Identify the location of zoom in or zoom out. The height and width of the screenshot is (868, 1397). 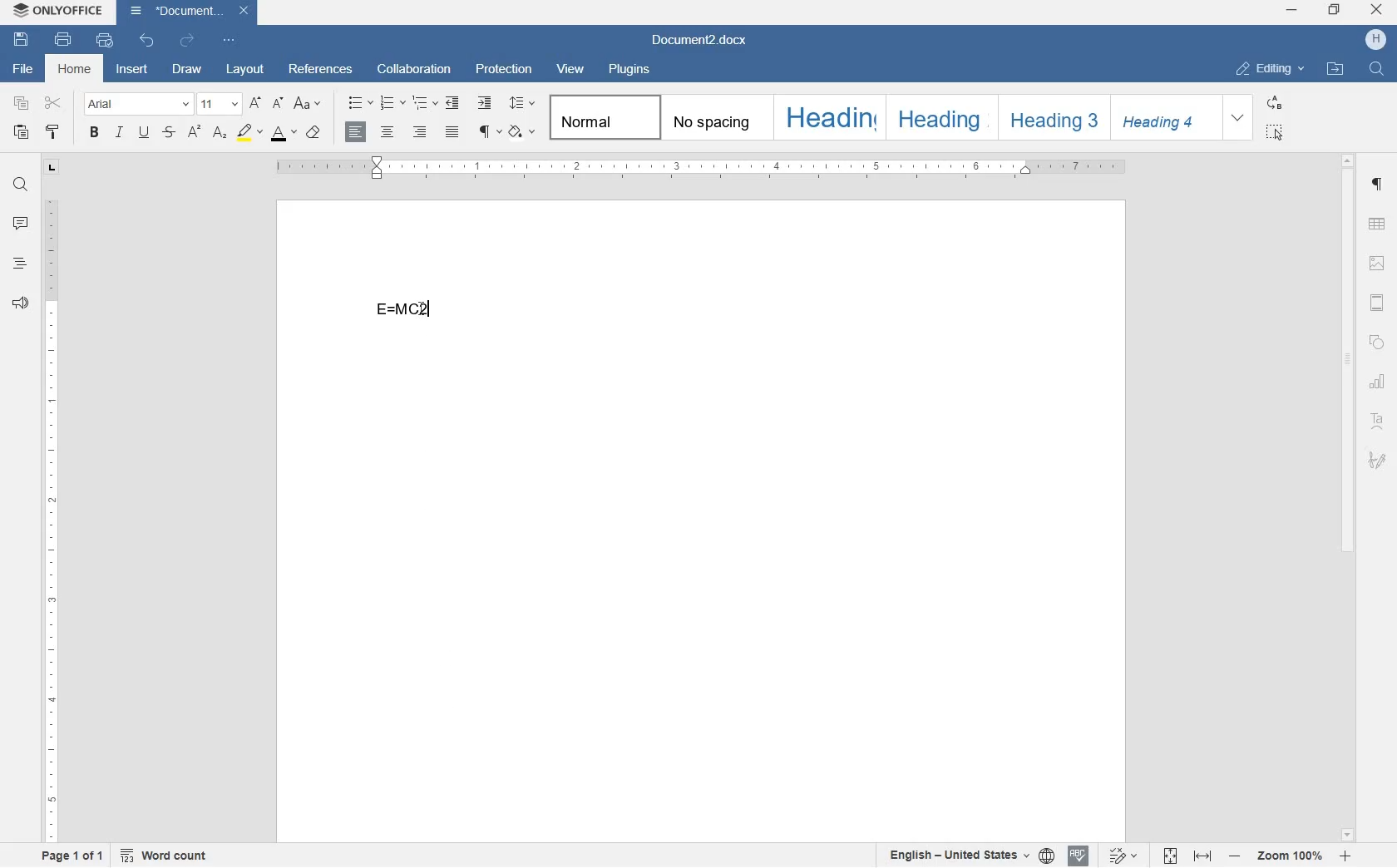
(1287, 857).